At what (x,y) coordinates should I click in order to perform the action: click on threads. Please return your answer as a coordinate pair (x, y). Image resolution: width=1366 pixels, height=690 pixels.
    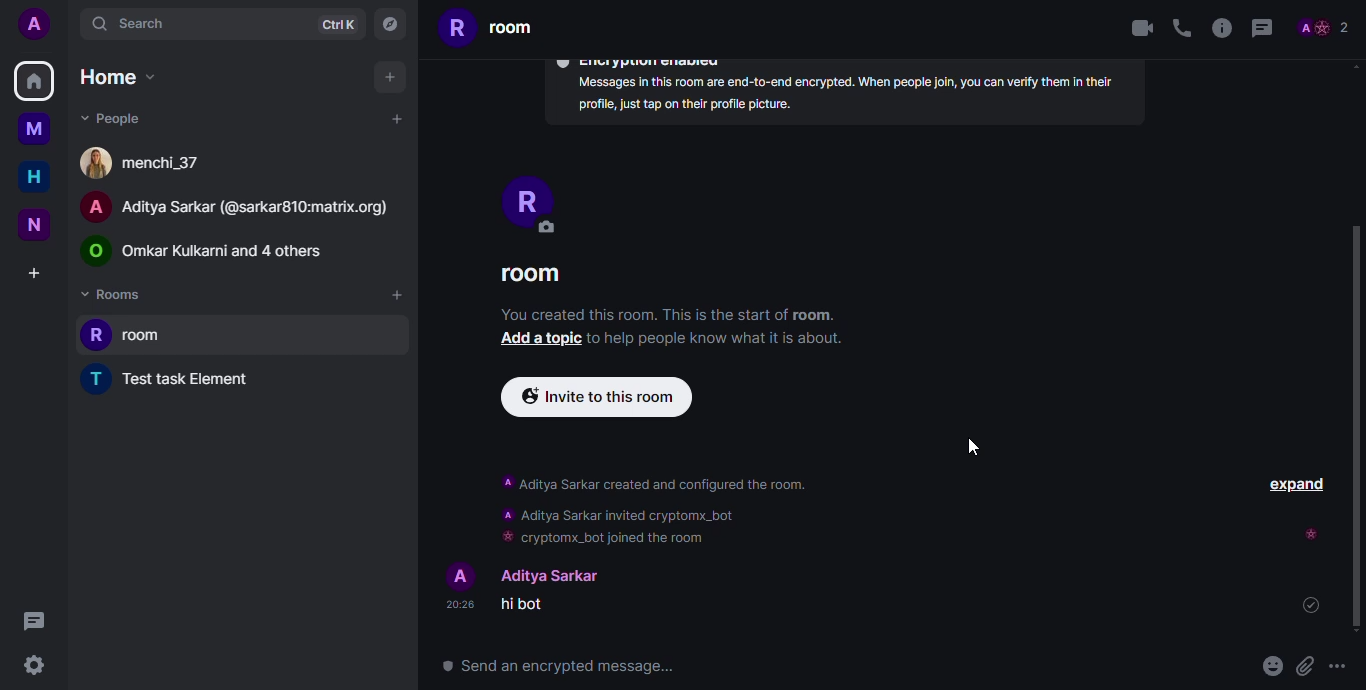
    Looking at the image, I should click on (33, 621).